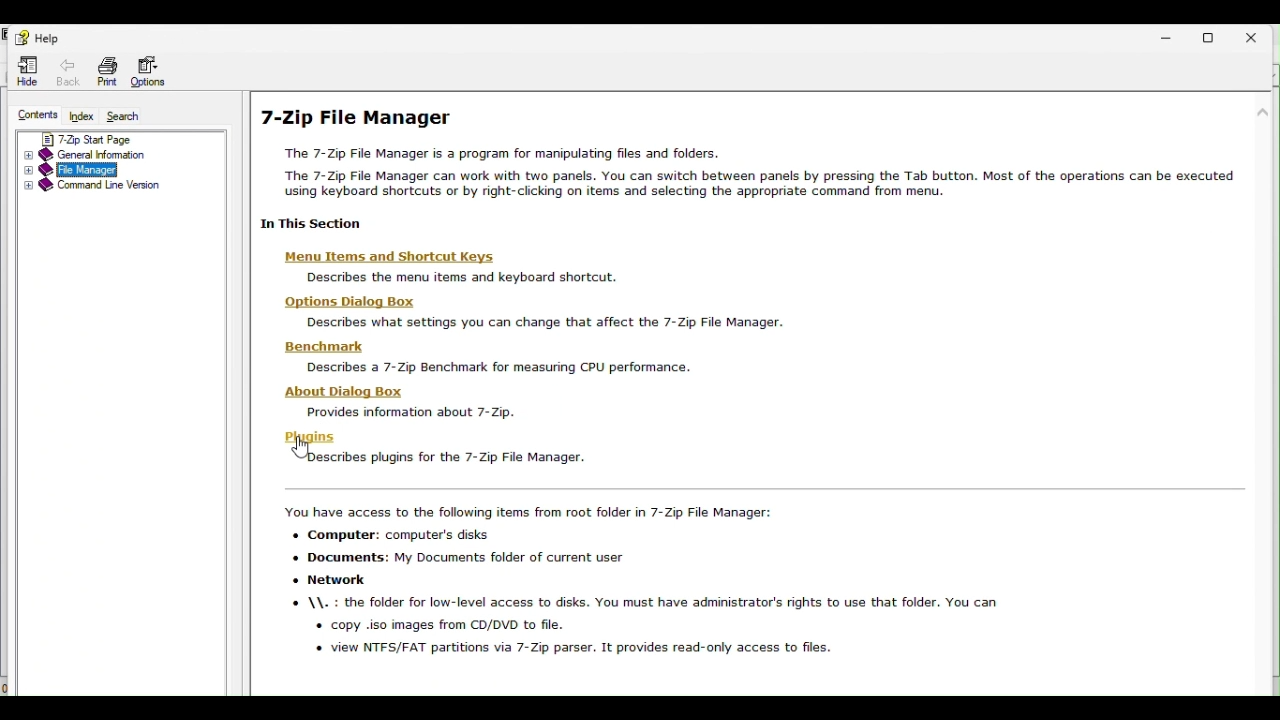  Describe the element at coordinates (348, 303) in the screenshot. I see `Hons Dii` at that location.